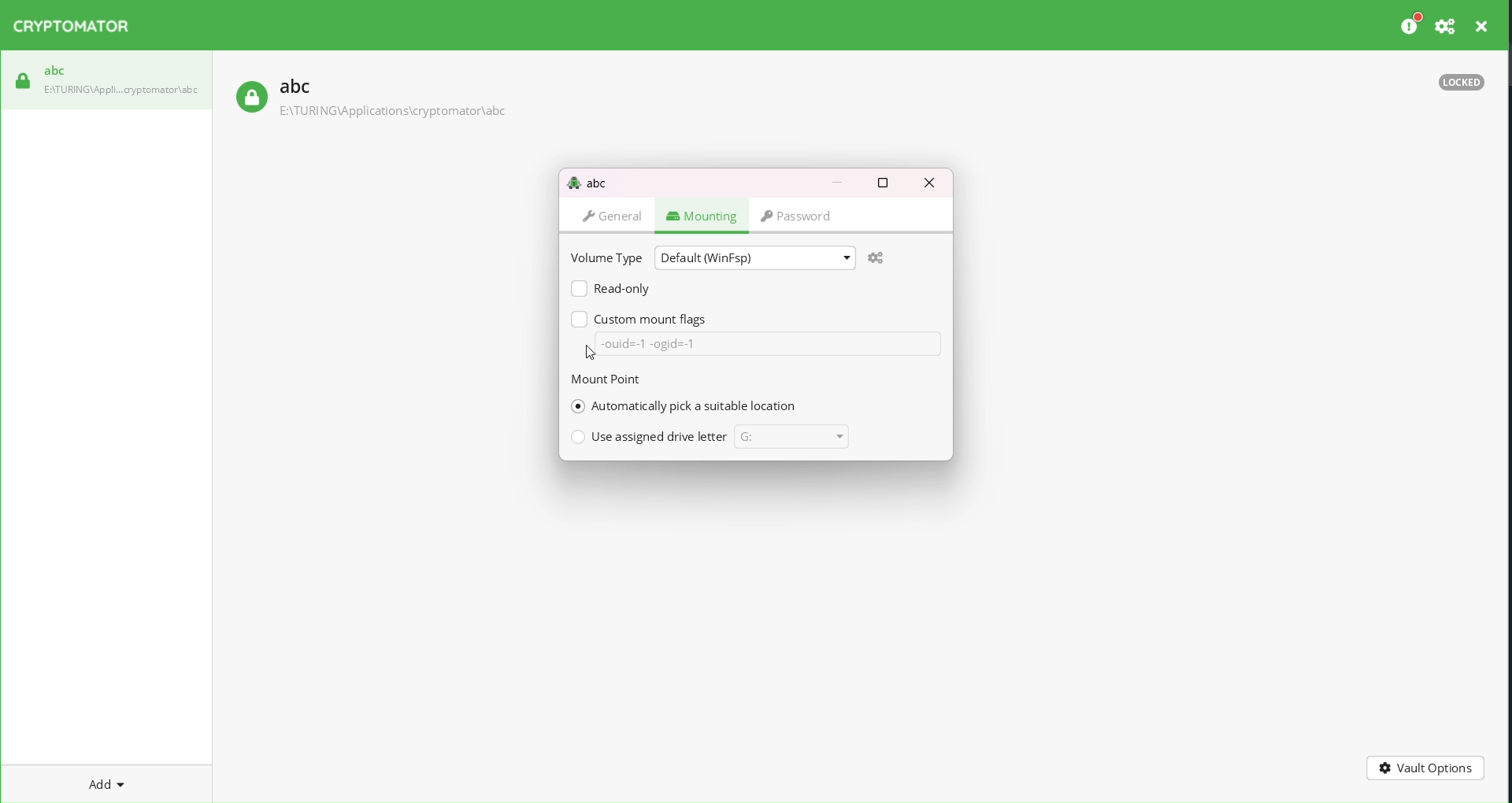 This screenshot has width=1512, height=803. What do you see at coordinates (77, 28) in the screenshot?
I see `Cryptomator` at bounding box center [77, 28].